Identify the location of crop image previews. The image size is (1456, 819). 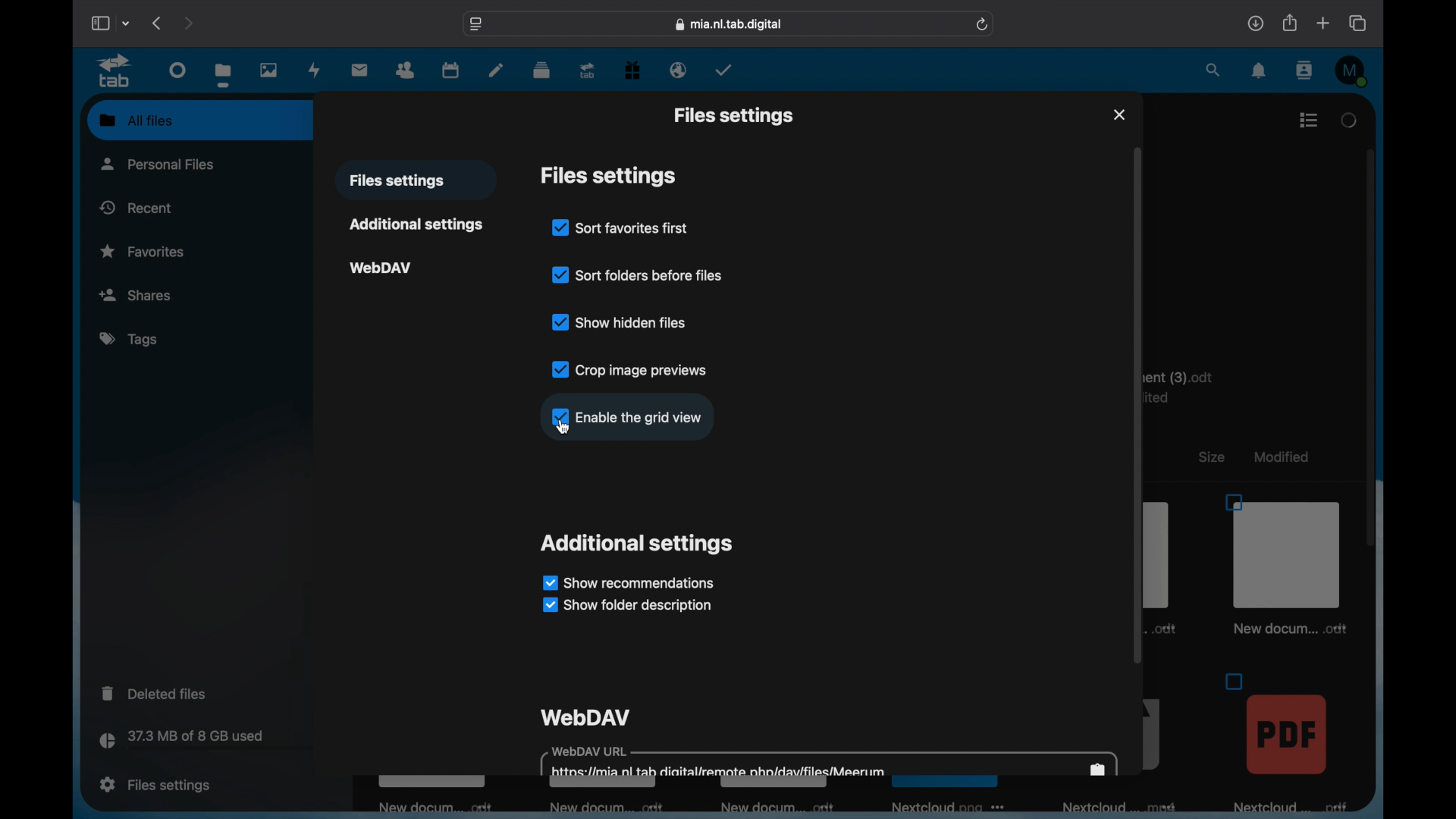
(629, 369).